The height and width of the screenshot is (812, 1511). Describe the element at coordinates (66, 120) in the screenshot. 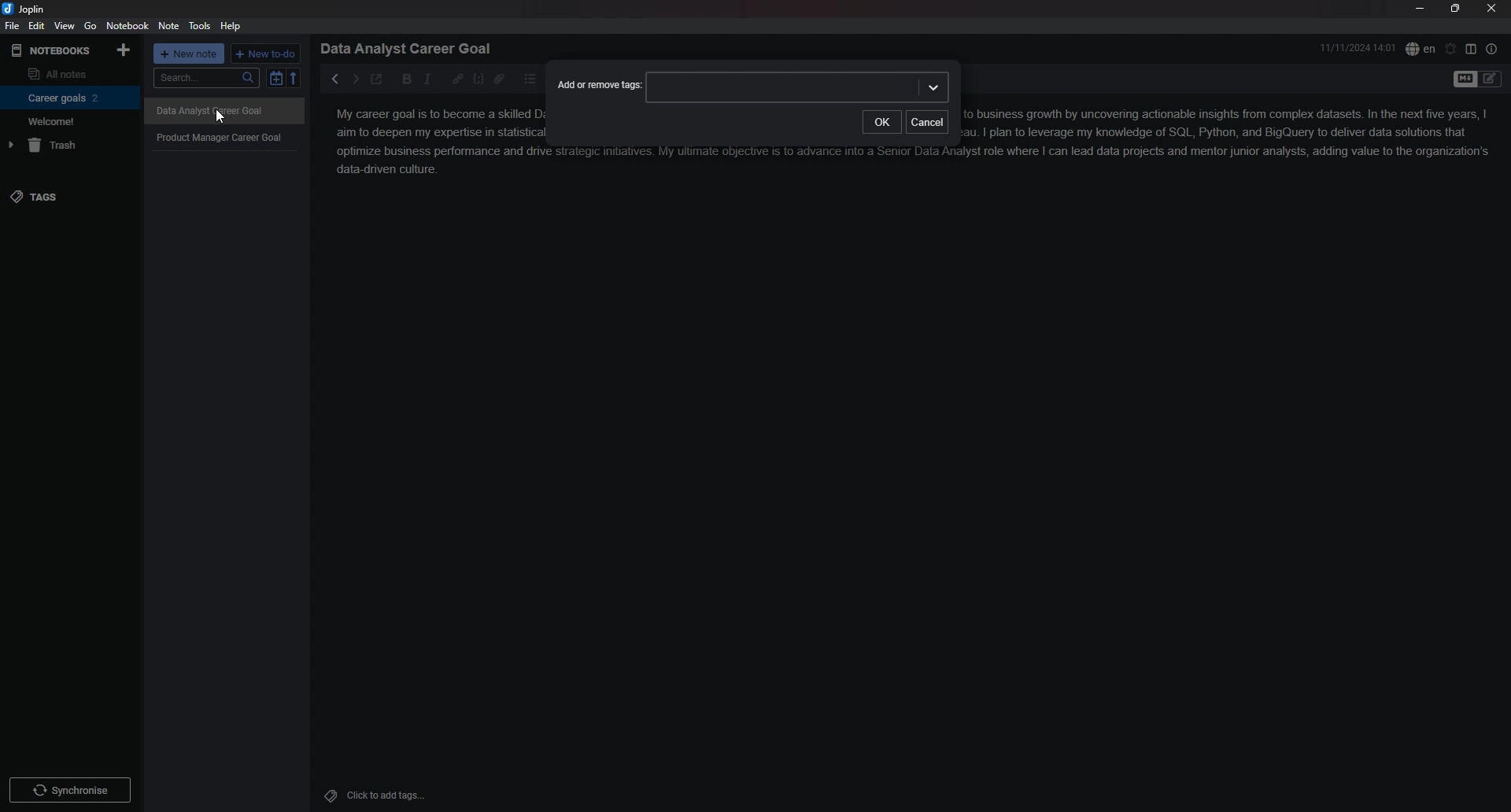

I see `Welcome!` at that location.